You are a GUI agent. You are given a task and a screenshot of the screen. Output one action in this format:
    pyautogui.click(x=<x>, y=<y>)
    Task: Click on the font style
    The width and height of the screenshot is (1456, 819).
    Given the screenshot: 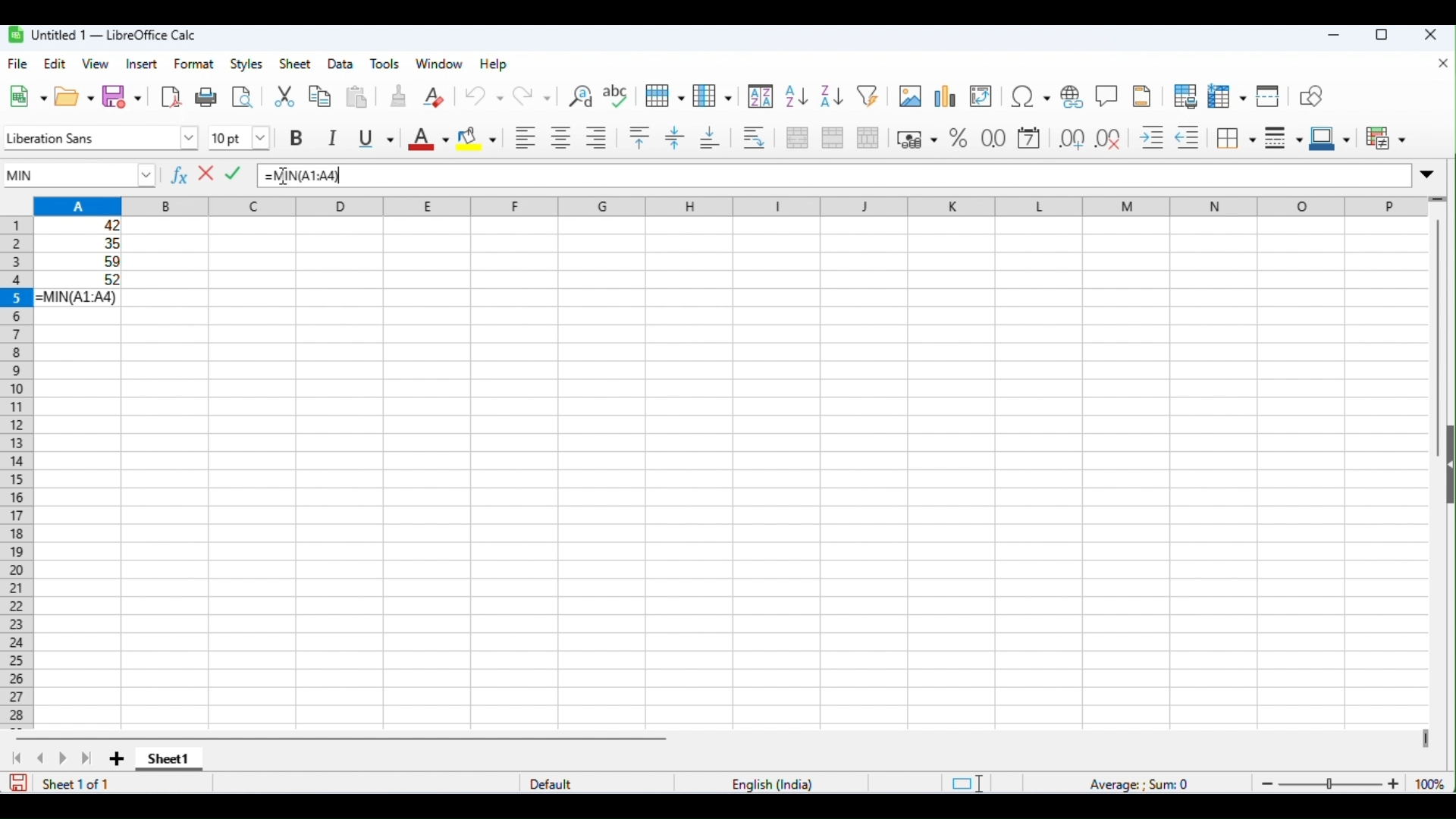 What is the action you would take?
    pyautogui.click(x=100, y=136)
    